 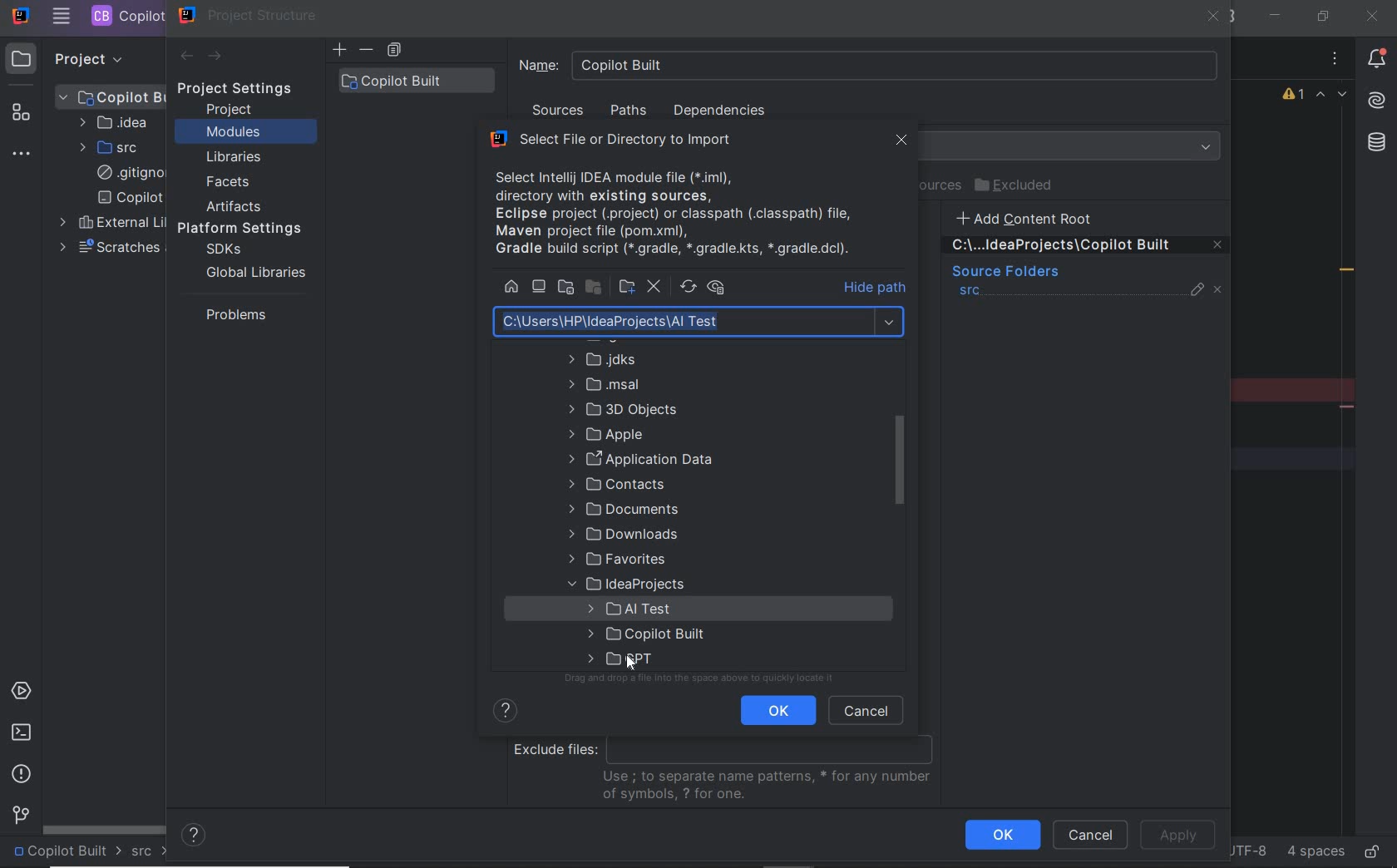 What do you see at coordinates (867, 709) in the screenshot?
I see `cancel` at bounding box center [867, 709].